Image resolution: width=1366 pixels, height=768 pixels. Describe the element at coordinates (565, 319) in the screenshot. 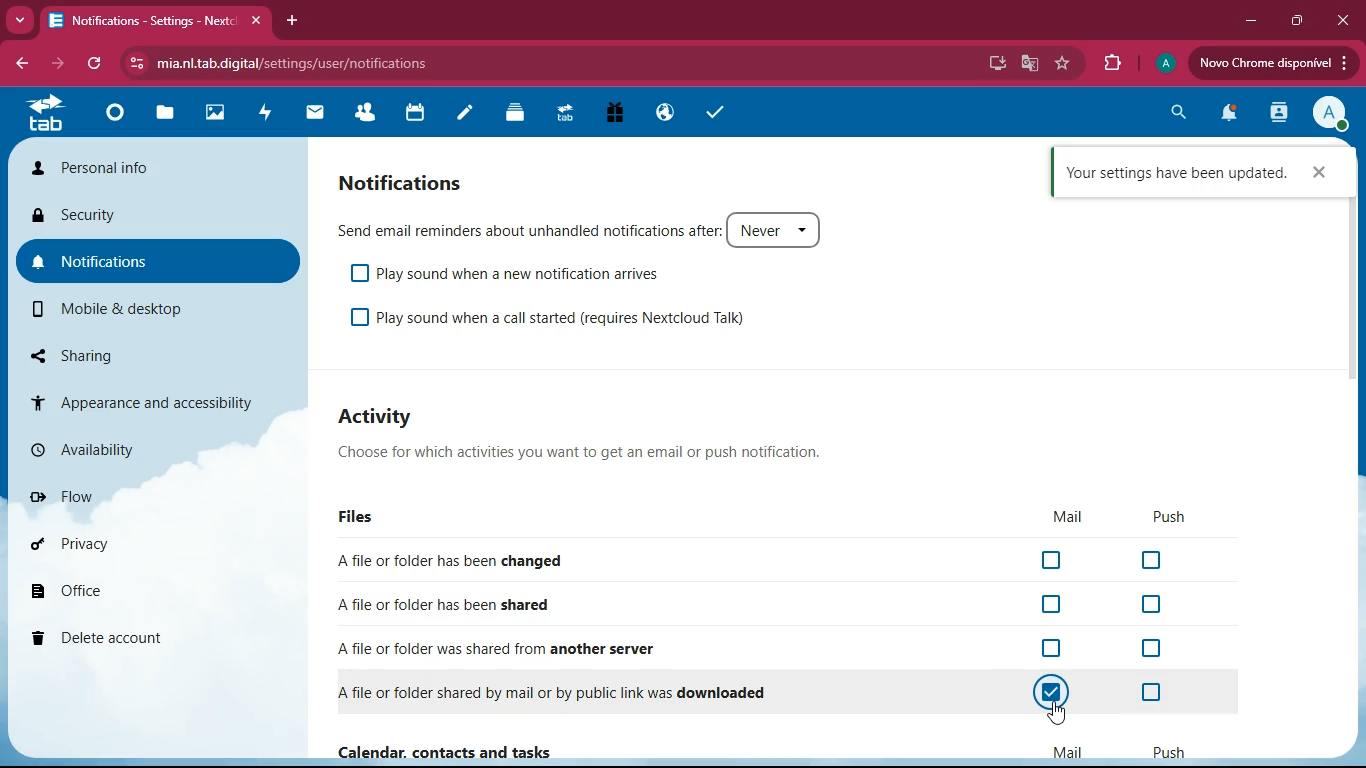

I see `play sound` at that location.